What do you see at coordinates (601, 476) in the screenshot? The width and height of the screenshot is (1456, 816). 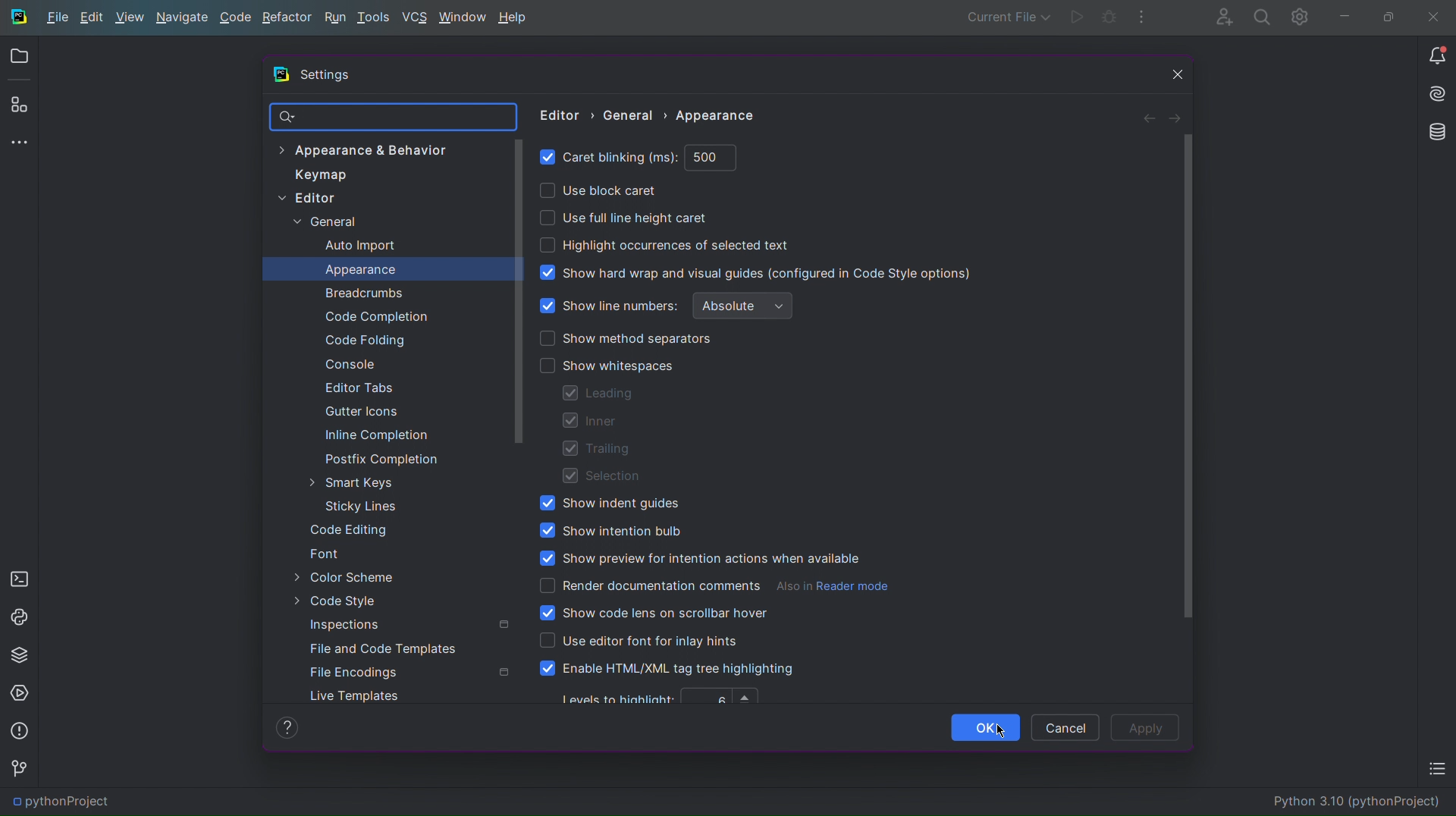 I see `Selection` at bounding box center [601, 476].